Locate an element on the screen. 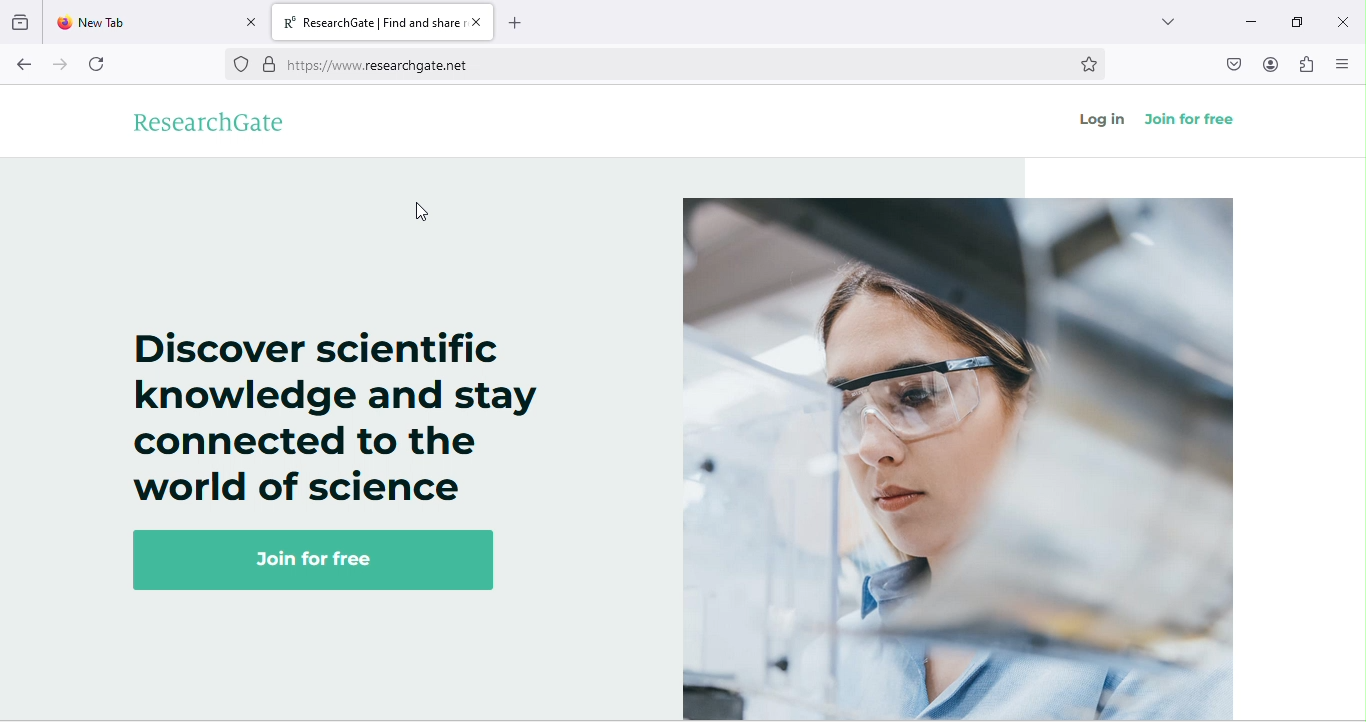  image is located at coordinates (958, 457).